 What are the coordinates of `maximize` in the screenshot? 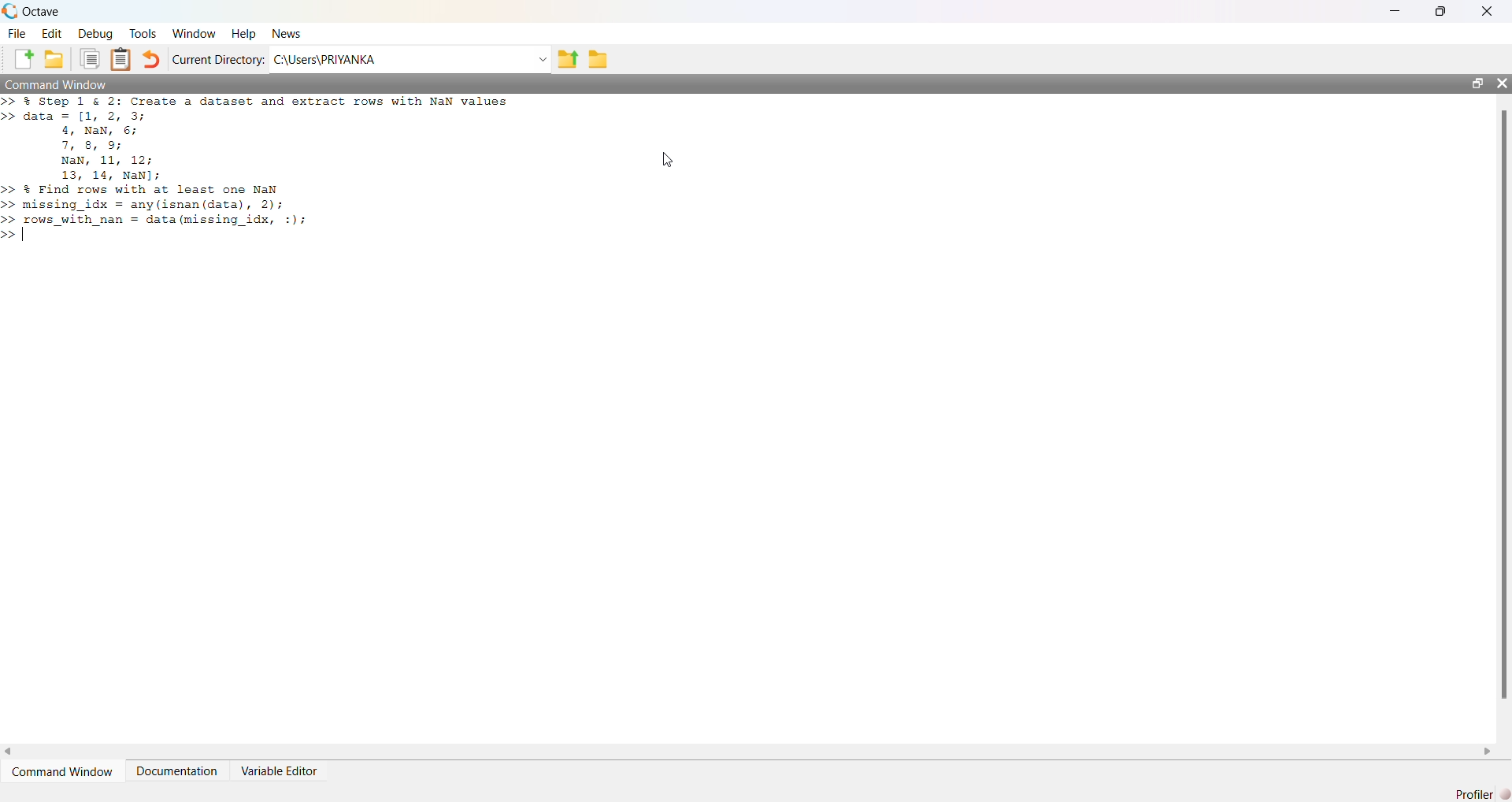 It's located at (1441, 10).